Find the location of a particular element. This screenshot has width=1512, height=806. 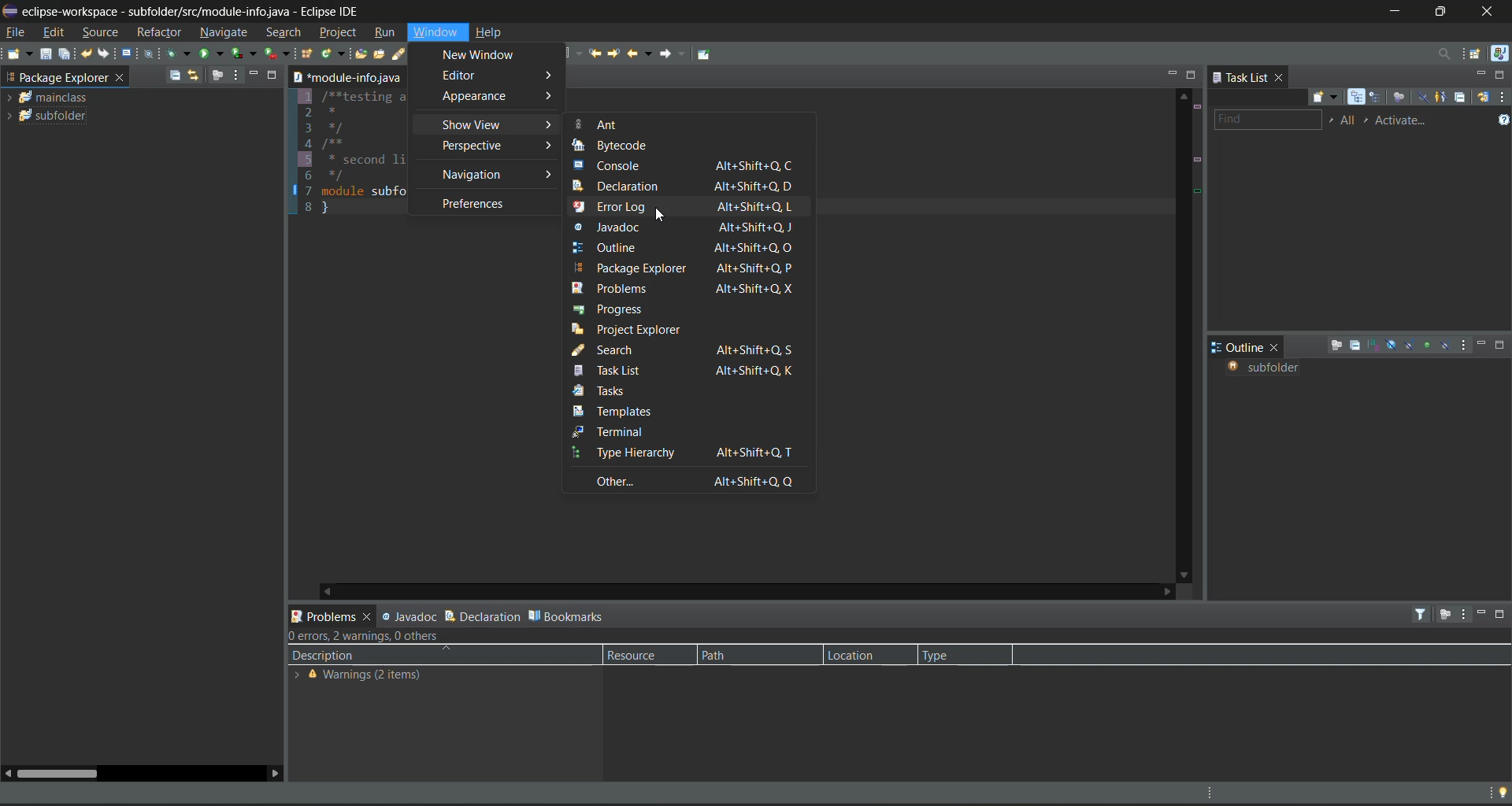

appearance is located at coordinates (498, 97).